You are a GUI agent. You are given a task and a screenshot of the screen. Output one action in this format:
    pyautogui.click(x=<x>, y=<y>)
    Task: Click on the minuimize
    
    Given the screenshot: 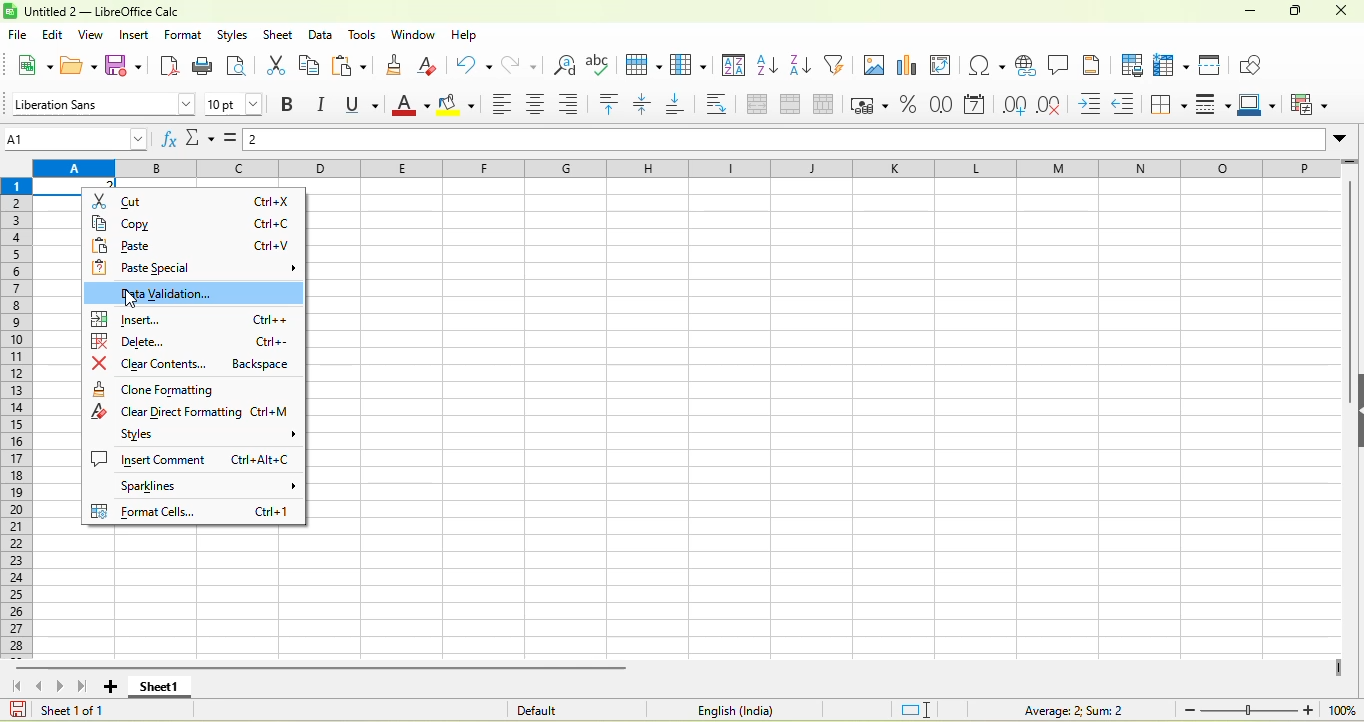 What is the action you would take?
    pyautogui.click(x=1249, y=12)
    